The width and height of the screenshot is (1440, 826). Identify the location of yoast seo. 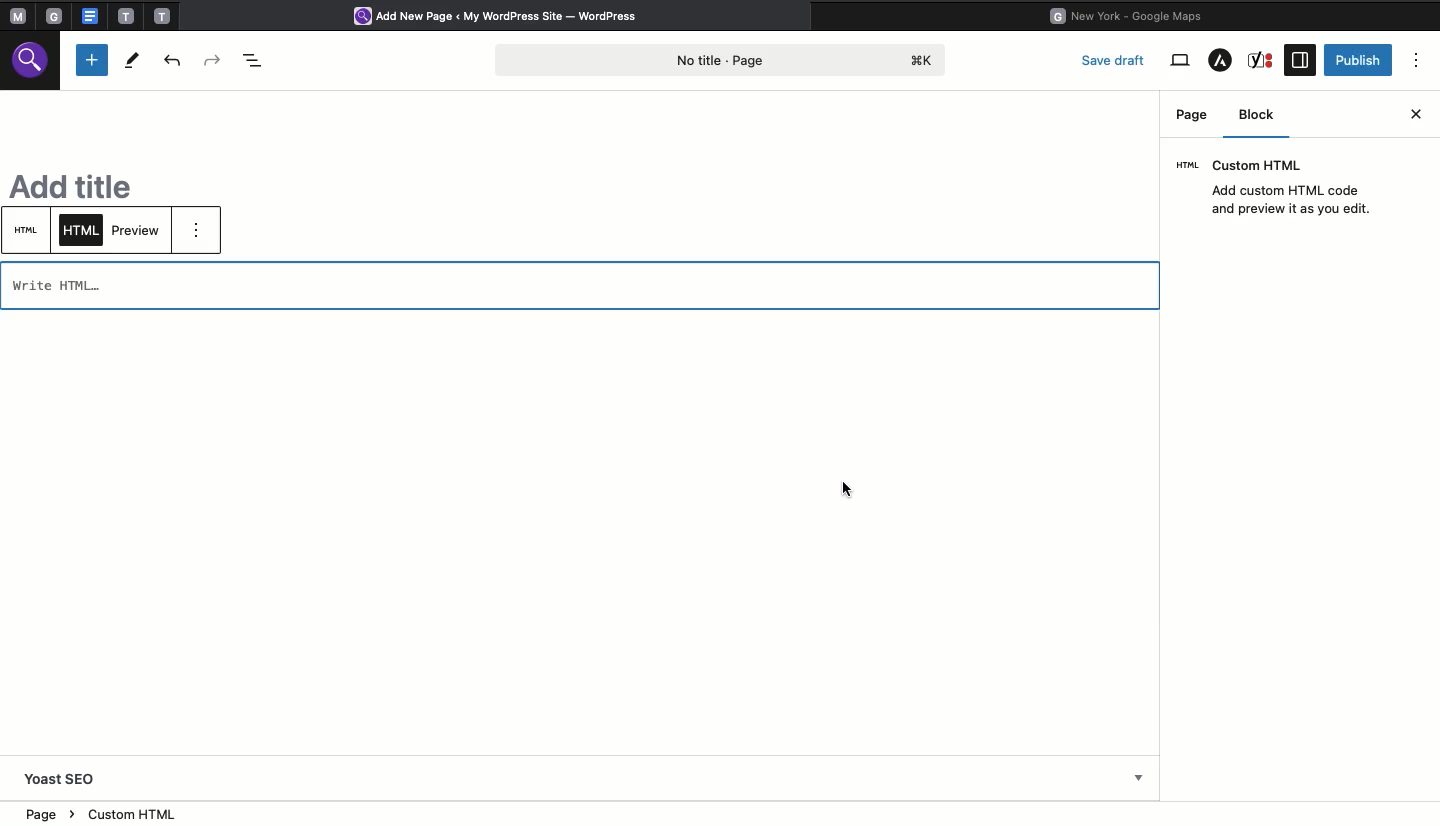
(62, 779).